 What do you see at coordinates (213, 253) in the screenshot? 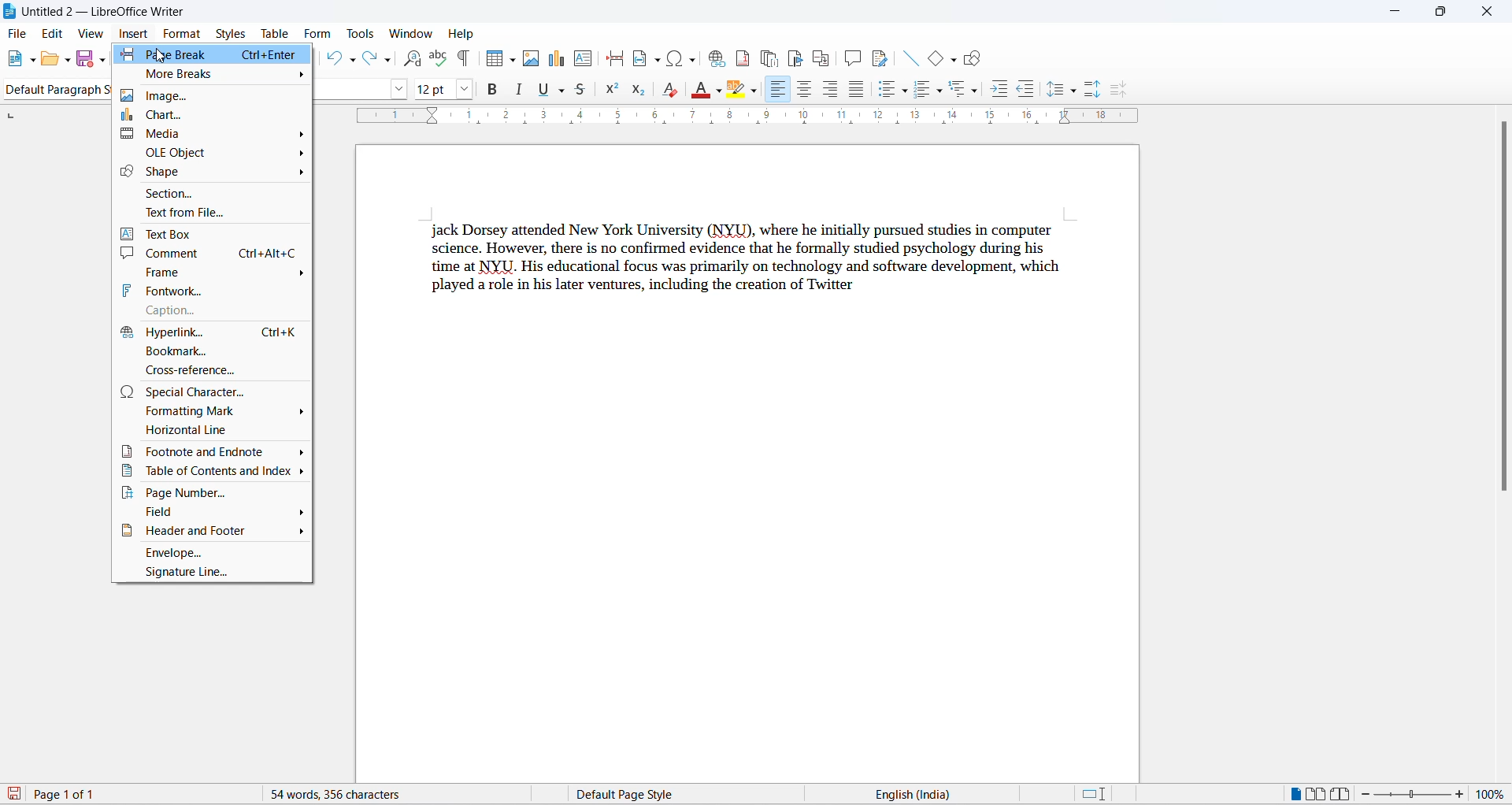
I see `comment` at bounding box center [213, 253].